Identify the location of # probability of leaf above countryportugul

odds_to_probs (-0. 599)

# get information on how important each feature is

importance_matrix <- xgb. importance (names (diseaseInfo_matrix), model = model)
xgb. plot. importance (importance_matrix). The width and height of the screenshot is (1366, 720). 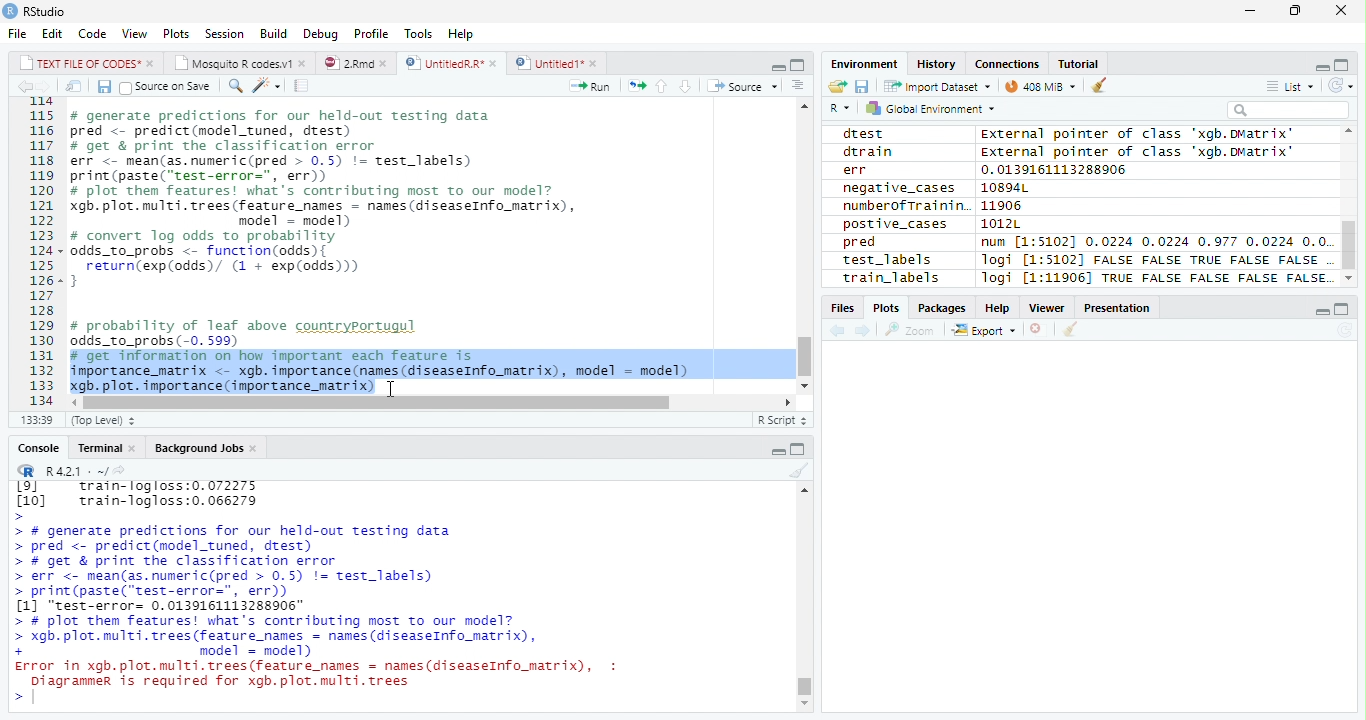
(388, 354).